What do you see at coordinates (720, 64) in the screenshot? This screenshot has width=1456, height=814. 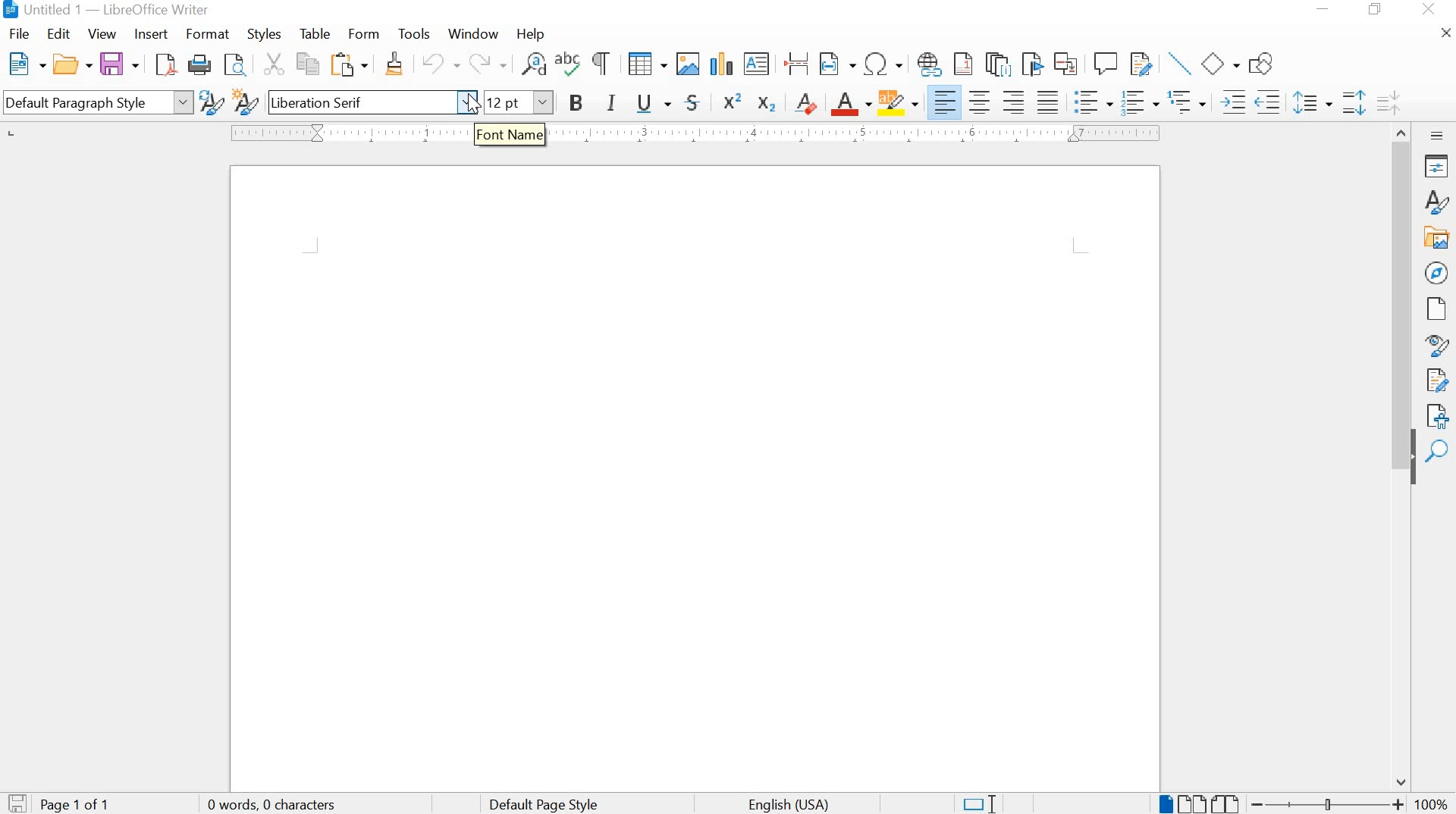 I see `INSERT CHAT` at bounding box center [720, 64].